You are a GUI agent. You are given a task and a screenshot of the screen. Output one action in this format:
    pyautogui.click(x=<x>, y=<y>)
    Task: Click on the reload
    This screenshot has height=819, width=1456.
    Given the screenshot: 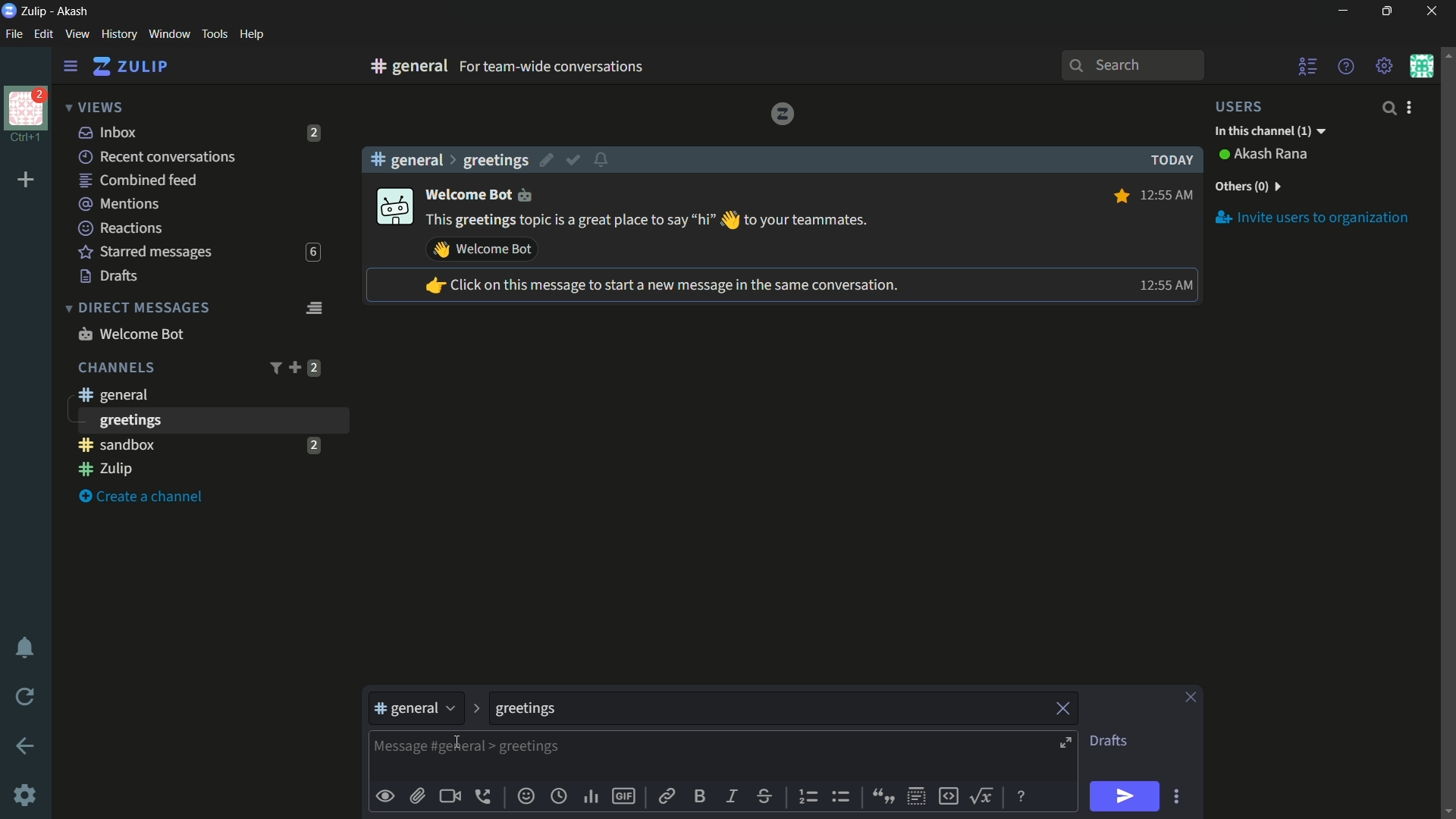 What is the action you would take?
    pyautogui.click(x=26, y=696)
    